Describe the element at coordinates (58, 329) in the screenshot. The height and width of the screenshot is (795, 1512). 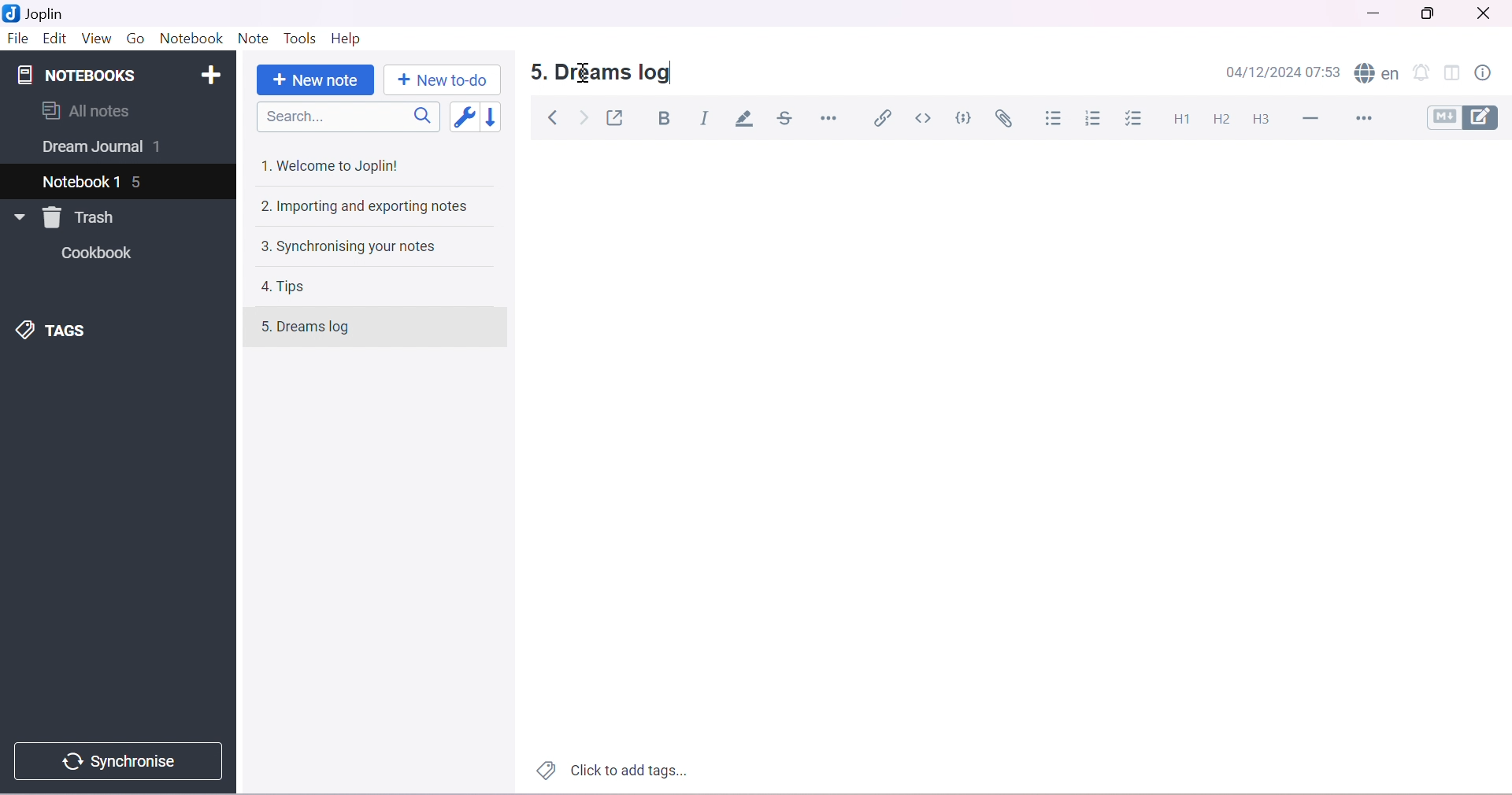
I see `TAGS` at that location.